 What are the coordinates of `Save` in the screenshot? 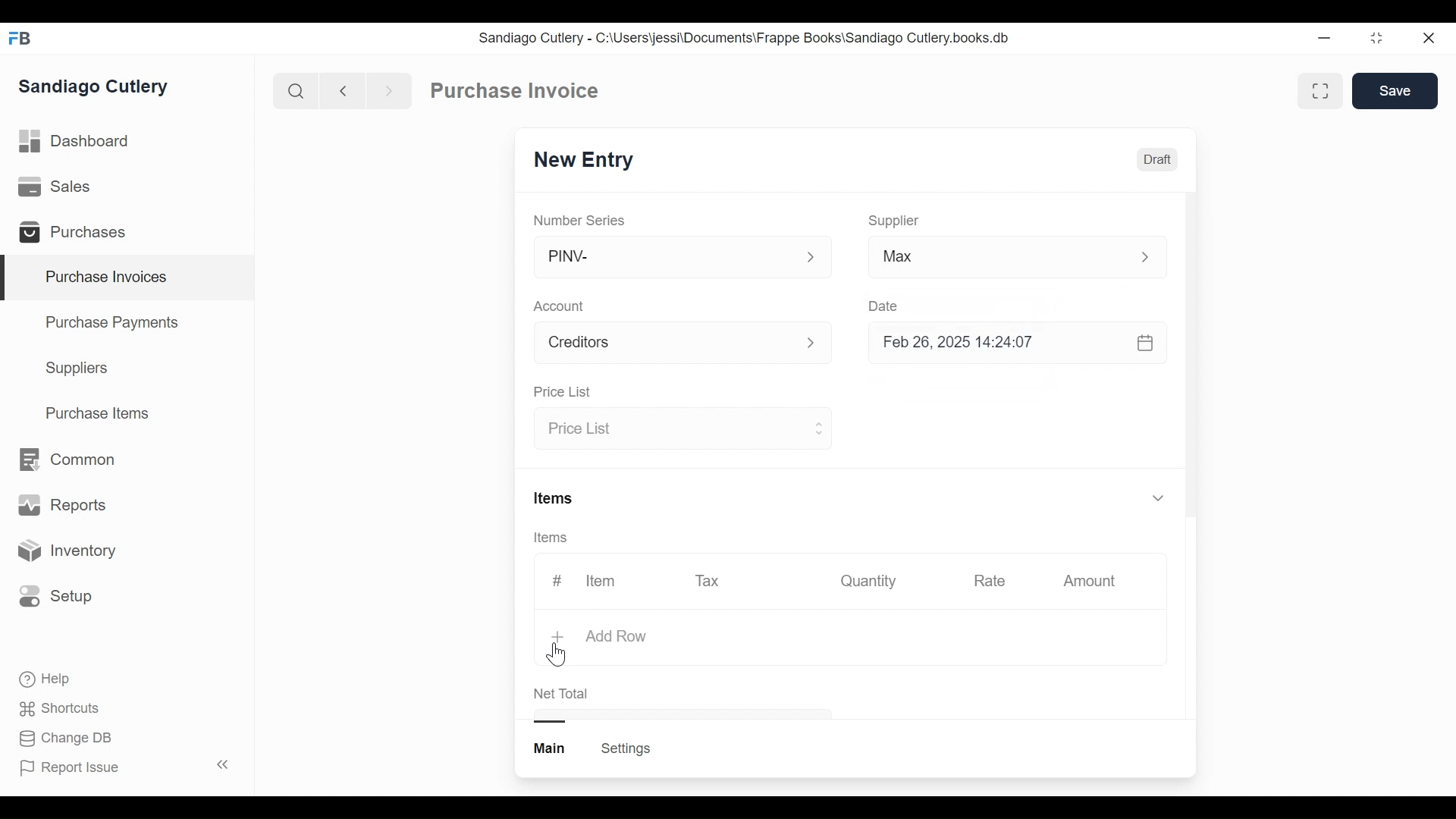 It's located at (1397, 91).